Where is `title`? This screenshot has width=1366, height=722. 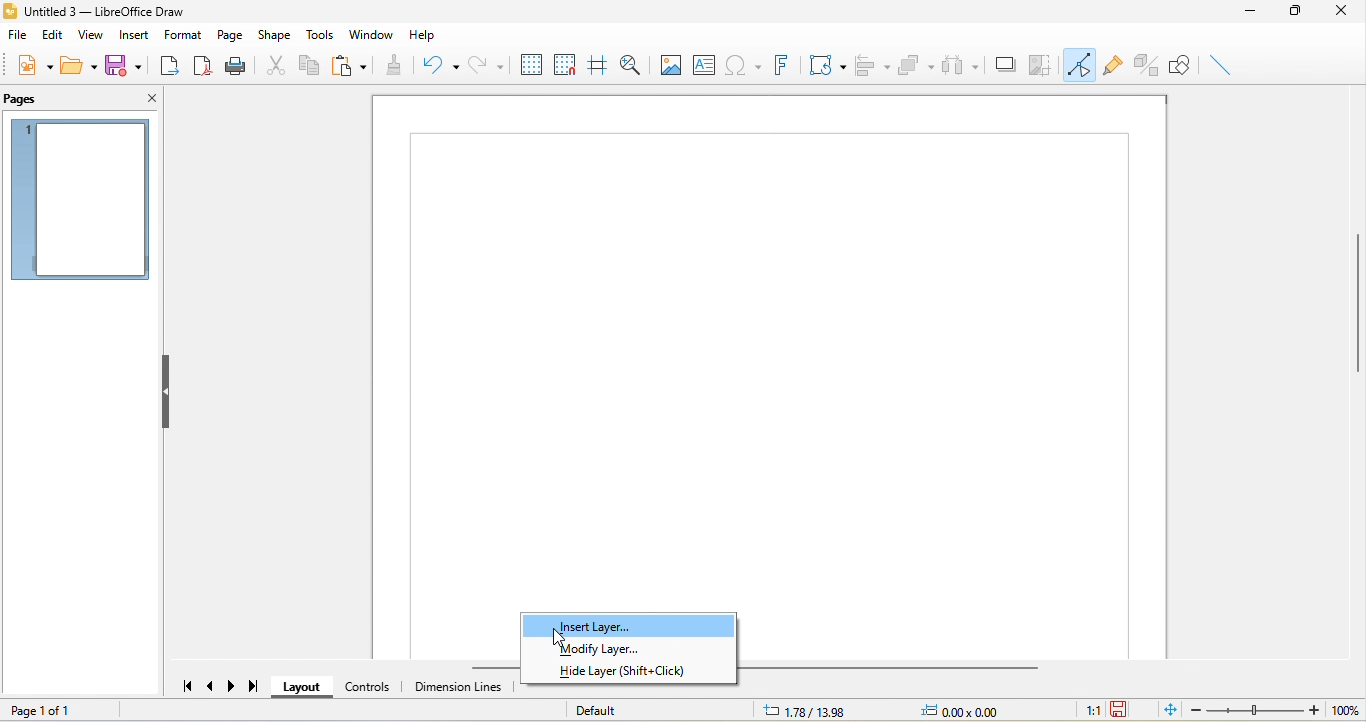 title is located at coordinates (108, 10).